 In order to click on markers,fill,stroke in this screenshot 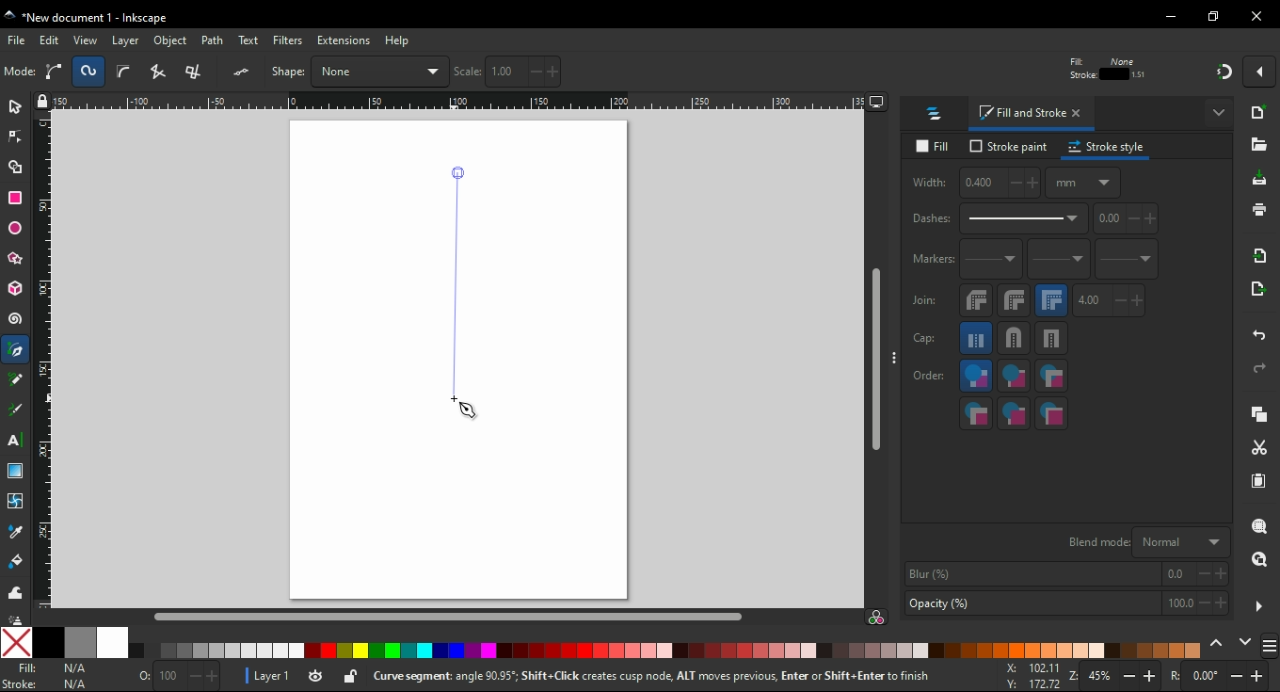, I will do `click(976, 413)`.